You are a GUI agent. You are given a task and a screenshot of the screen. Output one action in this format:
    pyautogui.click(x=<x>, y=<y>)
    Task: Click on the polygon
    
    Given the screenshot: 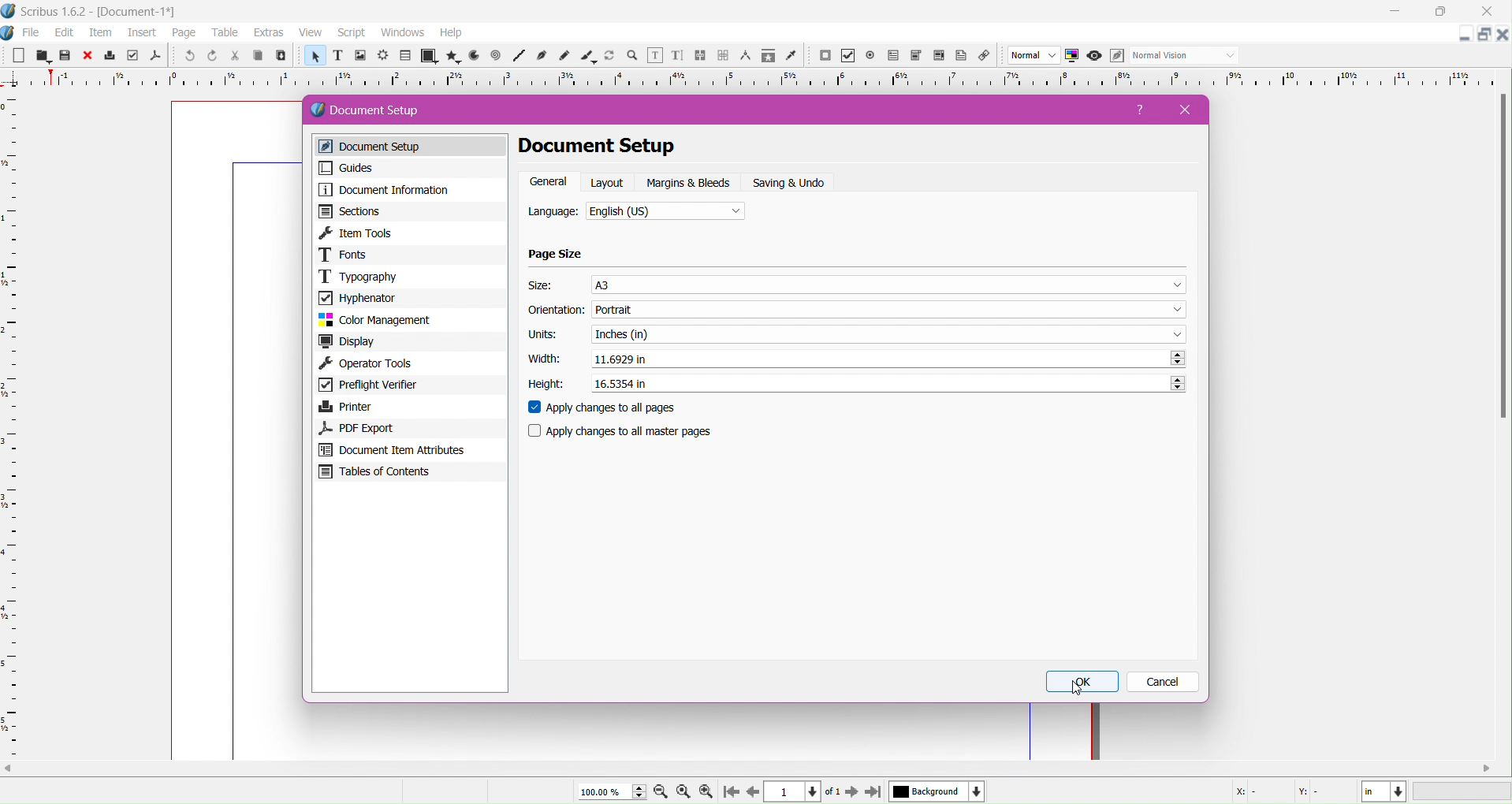 What is the action you would take?
    pyautogui.click(x=449, y=56)
    